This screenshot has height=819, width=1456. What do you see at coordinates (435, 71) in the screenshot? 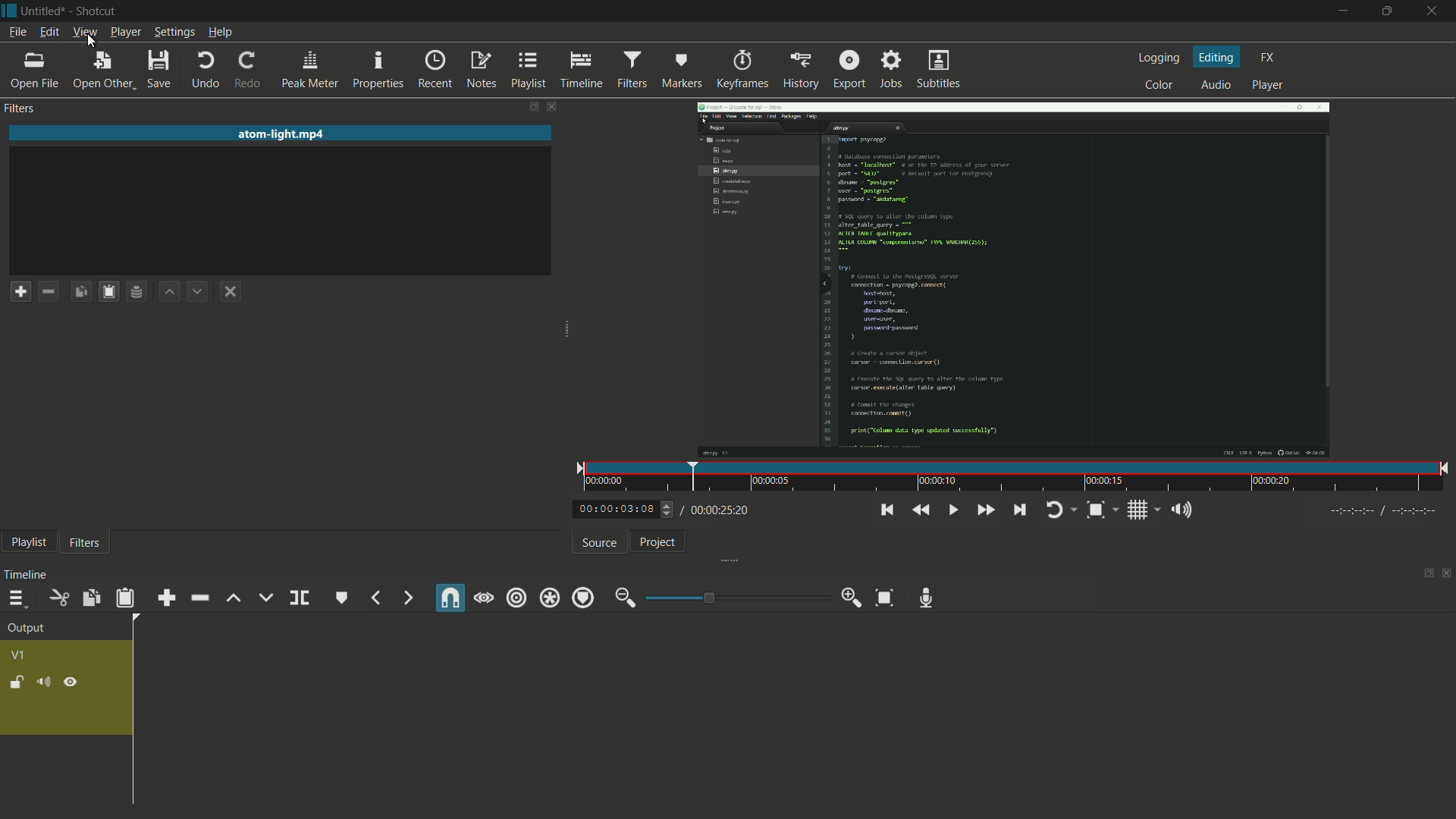
I see `recent` at bounding box center [435, 71].